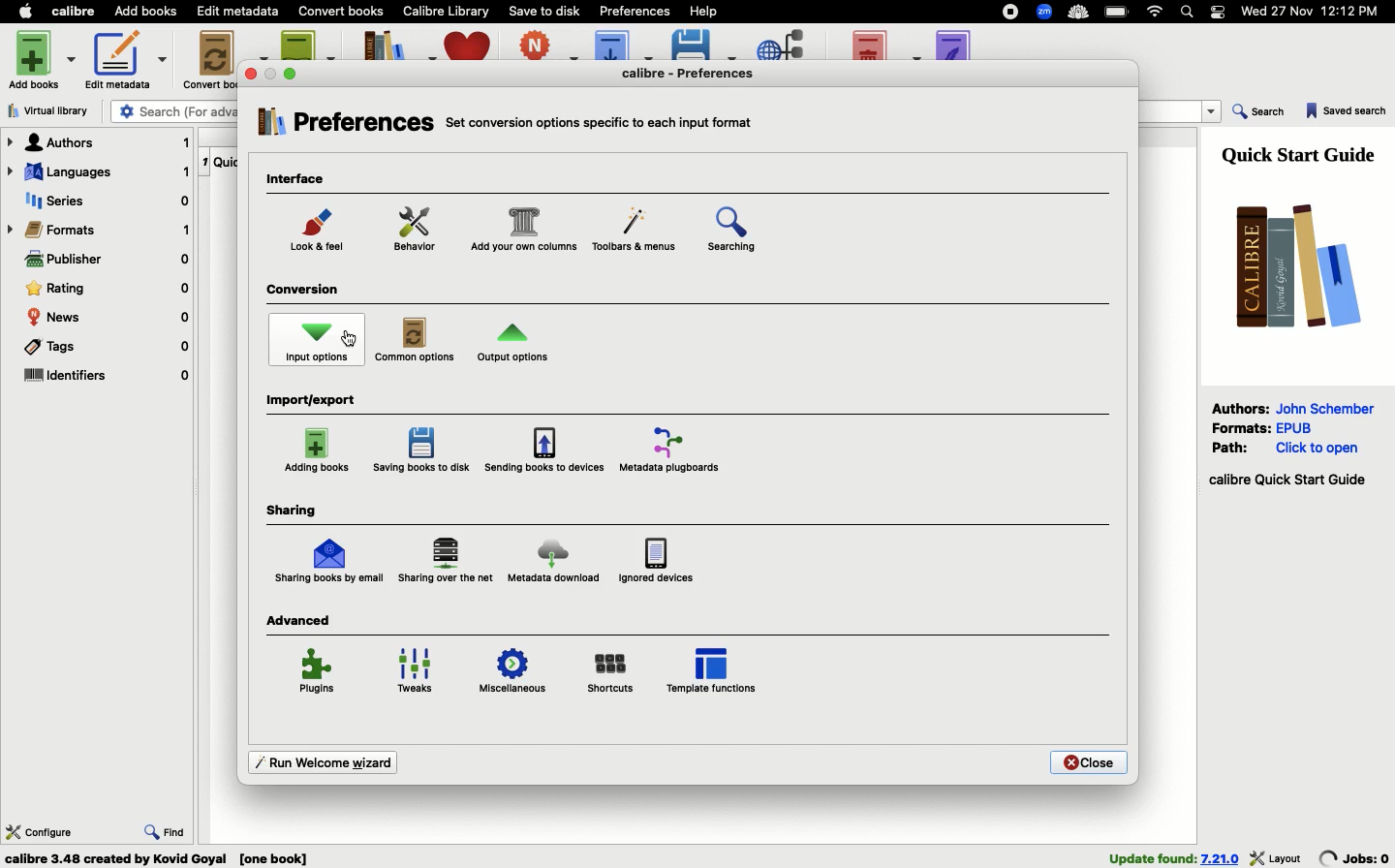 The width and height of the screenshot is (1395, 868). Describe the element at coordinates (1219, 12) in the screenshot. I see `Notification` at that location.